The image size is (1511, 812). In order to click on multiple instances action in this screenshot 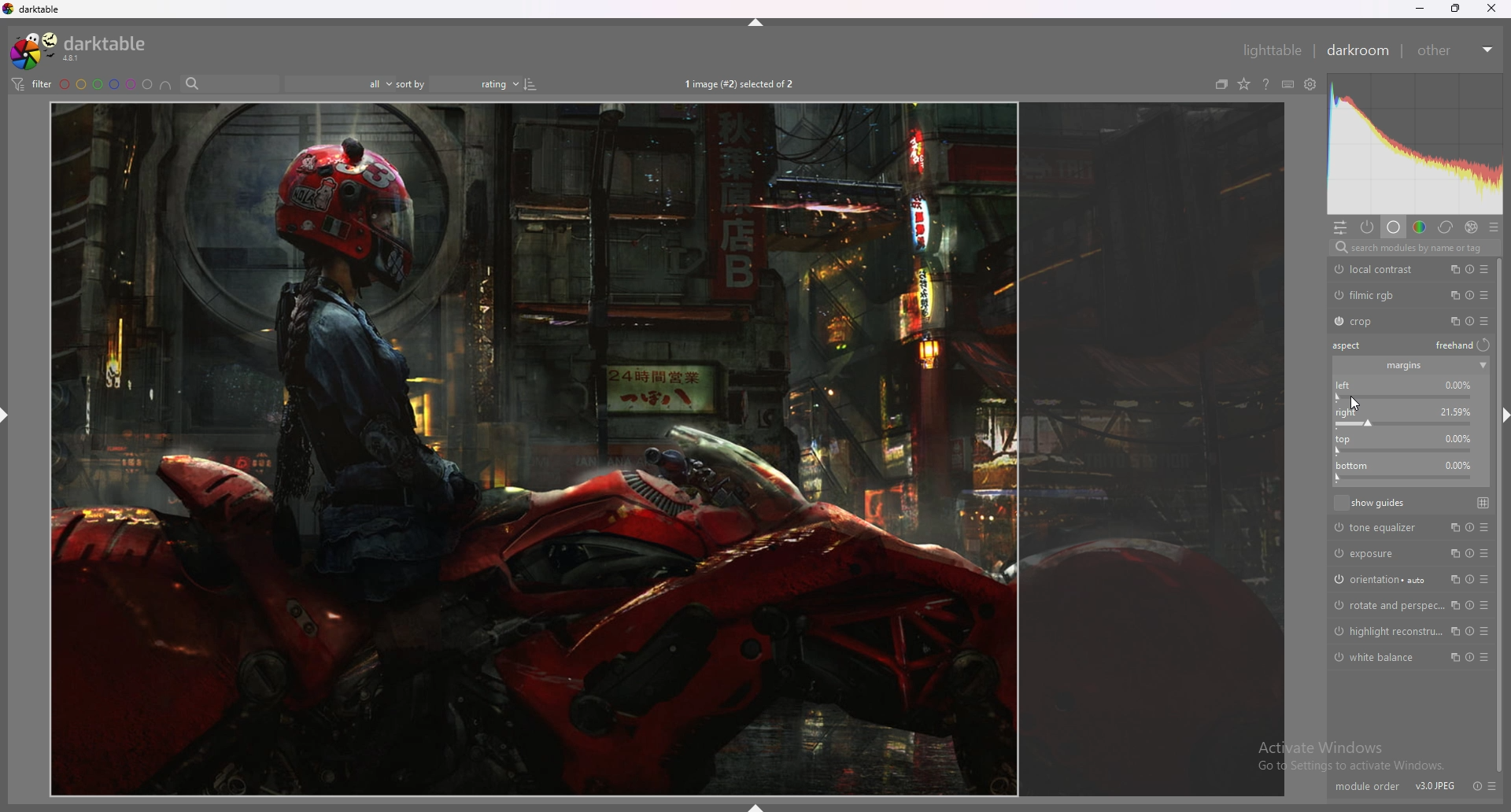, I will do `click(1453, 631)`.